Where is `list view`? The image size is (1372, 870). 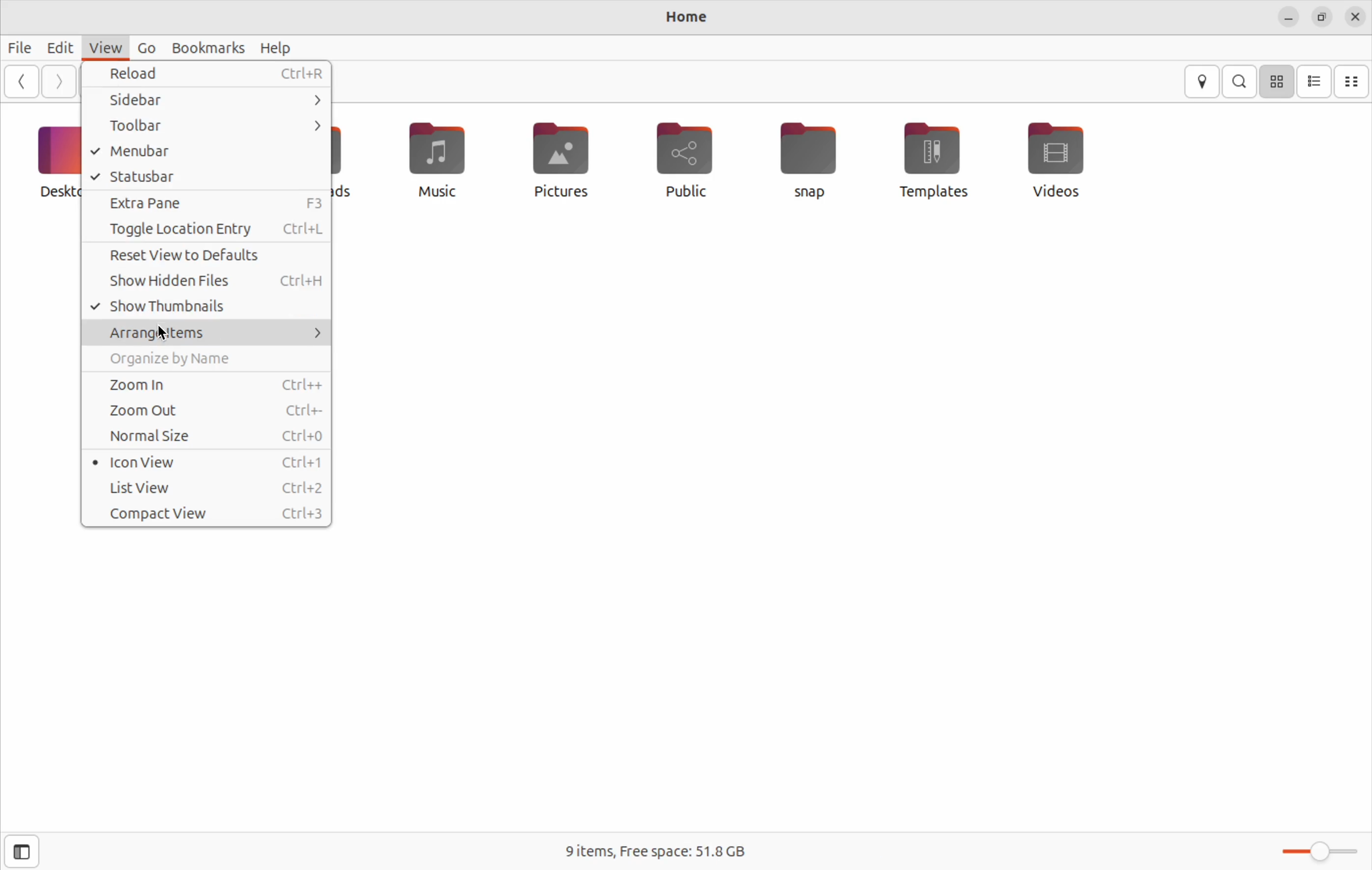
list view is located at coordinates (1316, 82).